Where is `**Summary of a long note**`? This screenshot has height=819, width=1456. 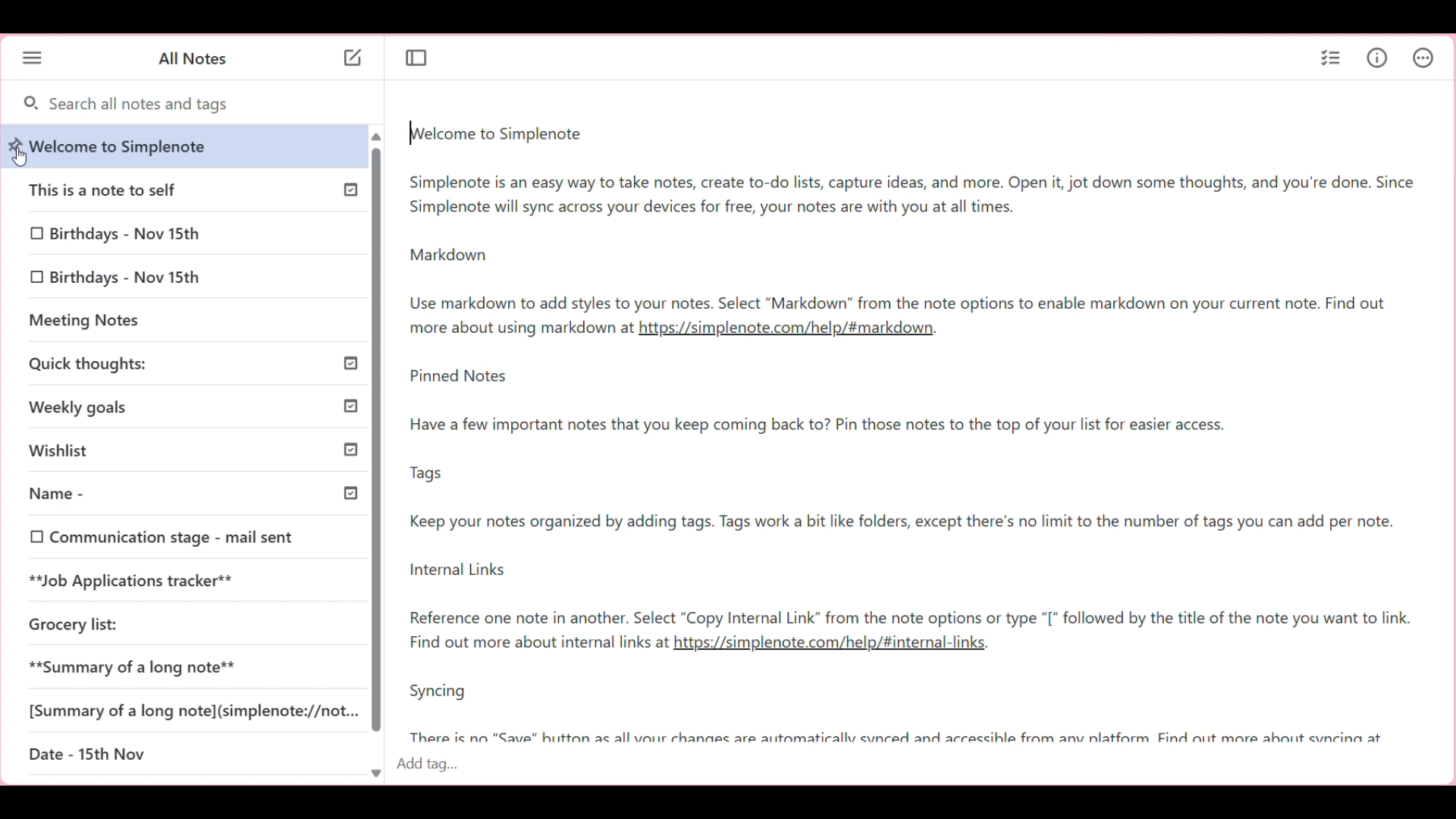
**Summary of a long note** is located at coordinates (145, 667).